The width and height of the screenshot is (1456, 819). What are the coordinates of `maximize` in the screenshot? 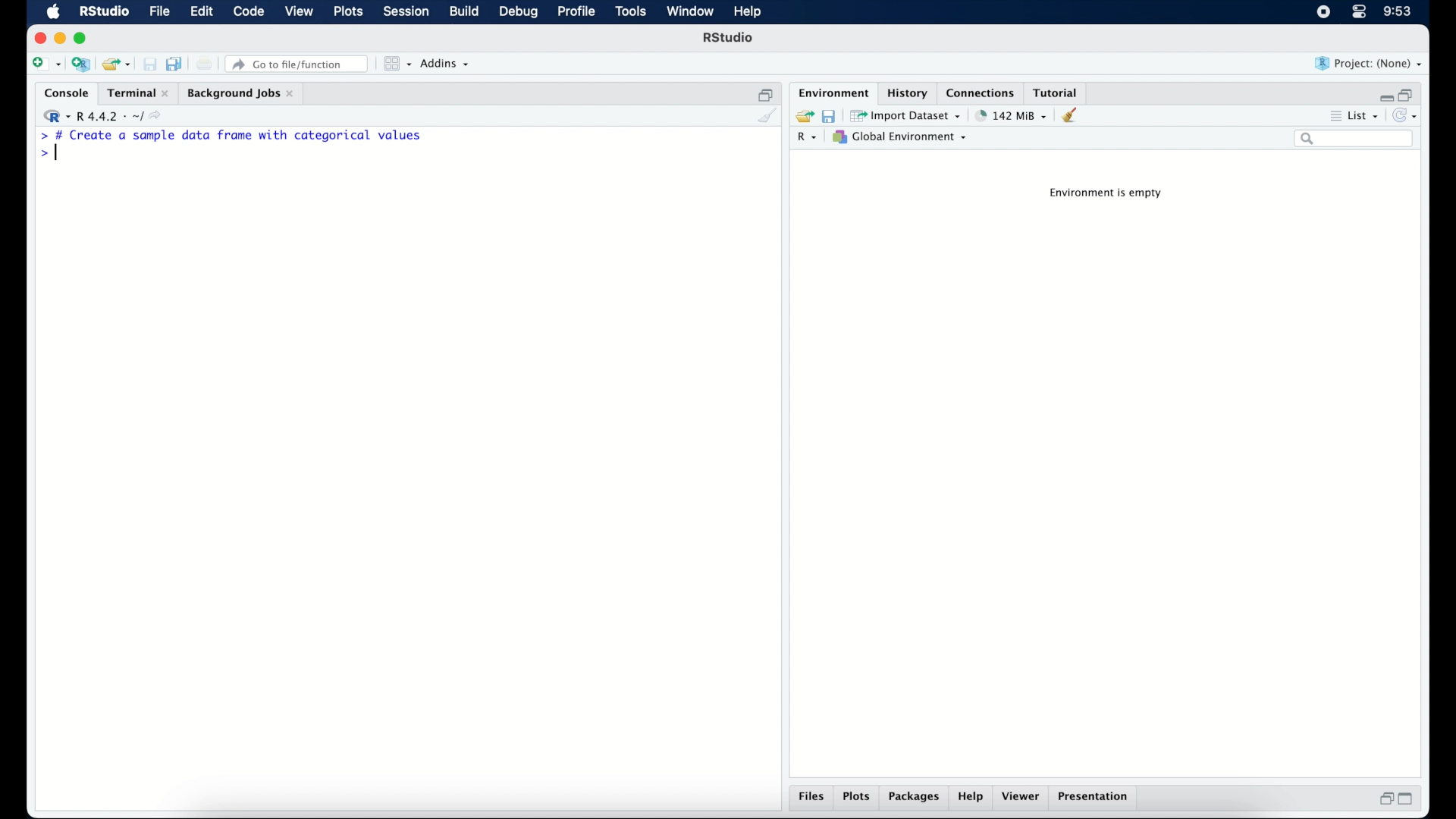 It's located at (83, 39).